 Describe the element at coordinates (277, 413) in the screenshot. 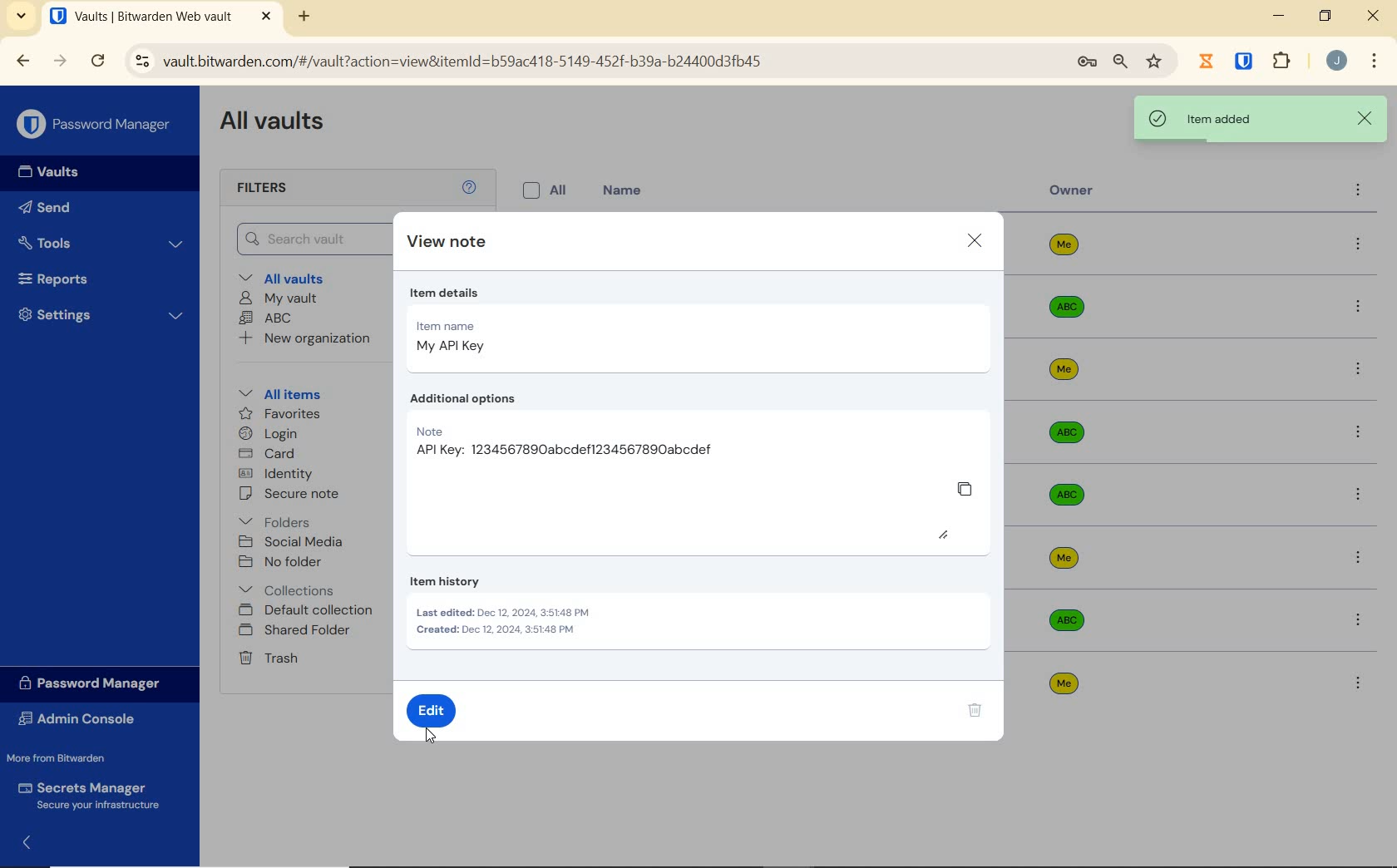

I see `favorites` at that location.